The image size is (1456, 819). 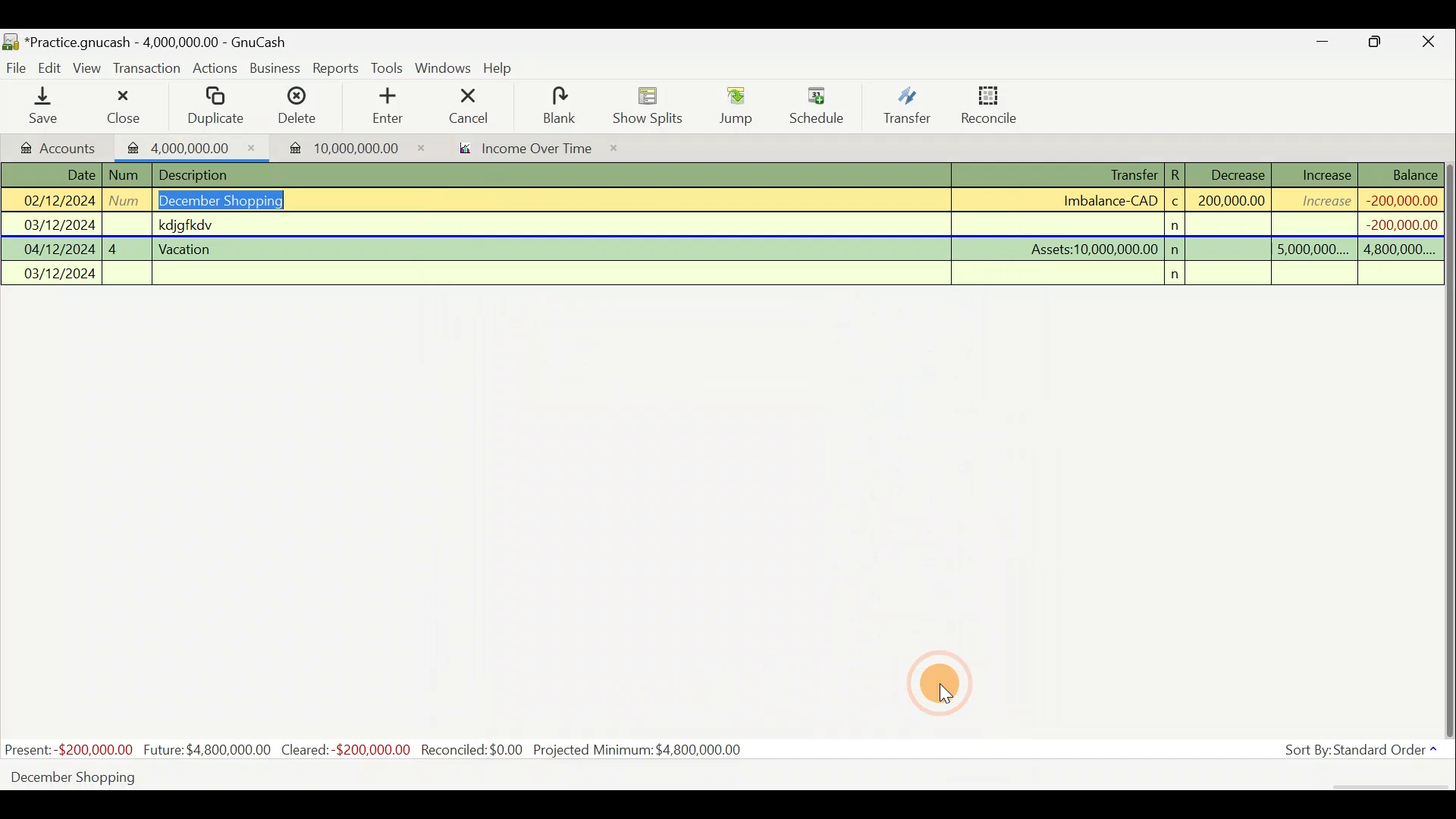 I want to click on Save, so click(x=46, y=105).